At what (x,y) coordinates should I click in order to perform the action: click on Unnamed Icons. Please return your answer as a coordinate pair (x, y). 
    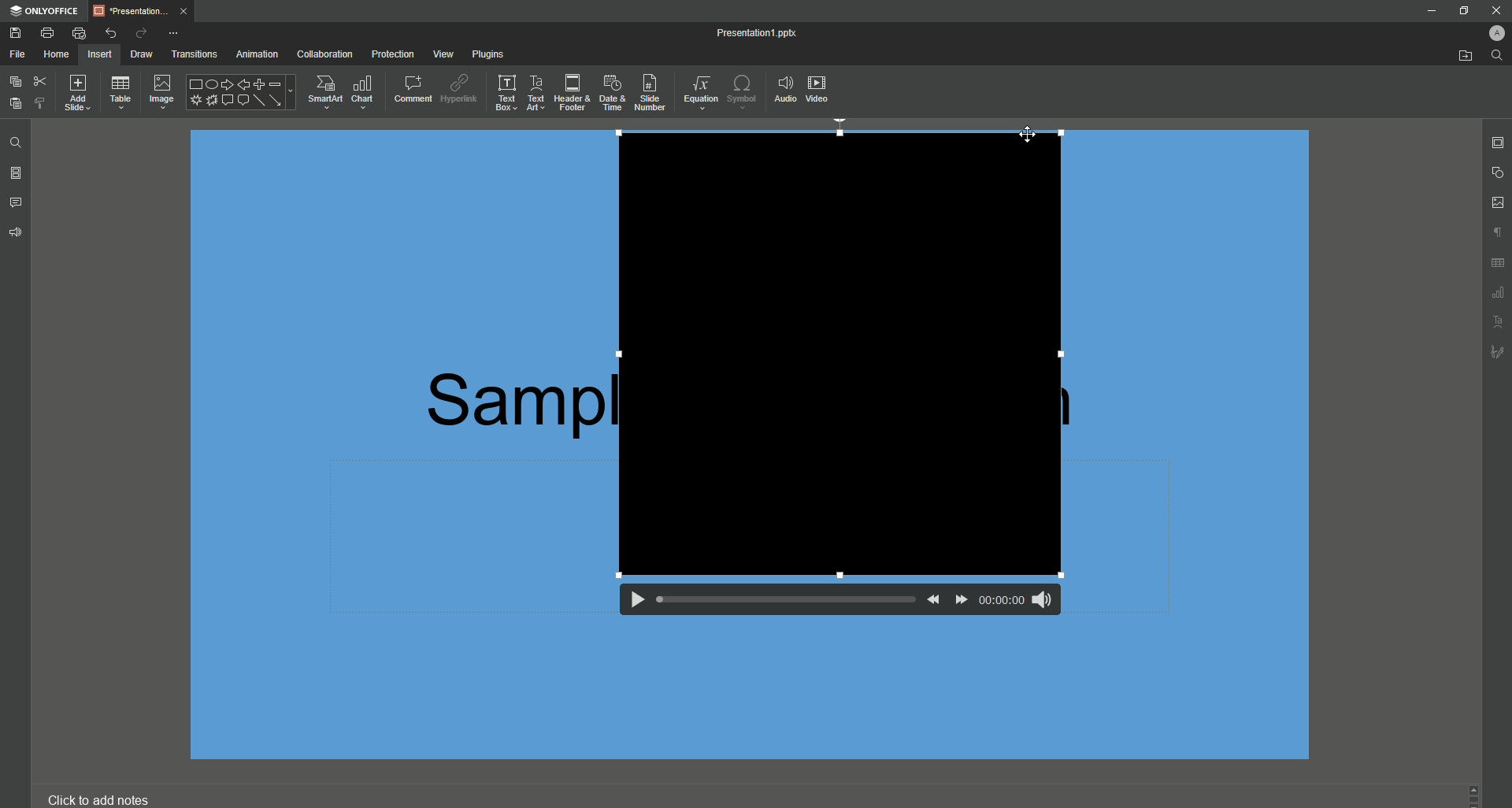
    Looking at the image, I should click on (1494, 295).